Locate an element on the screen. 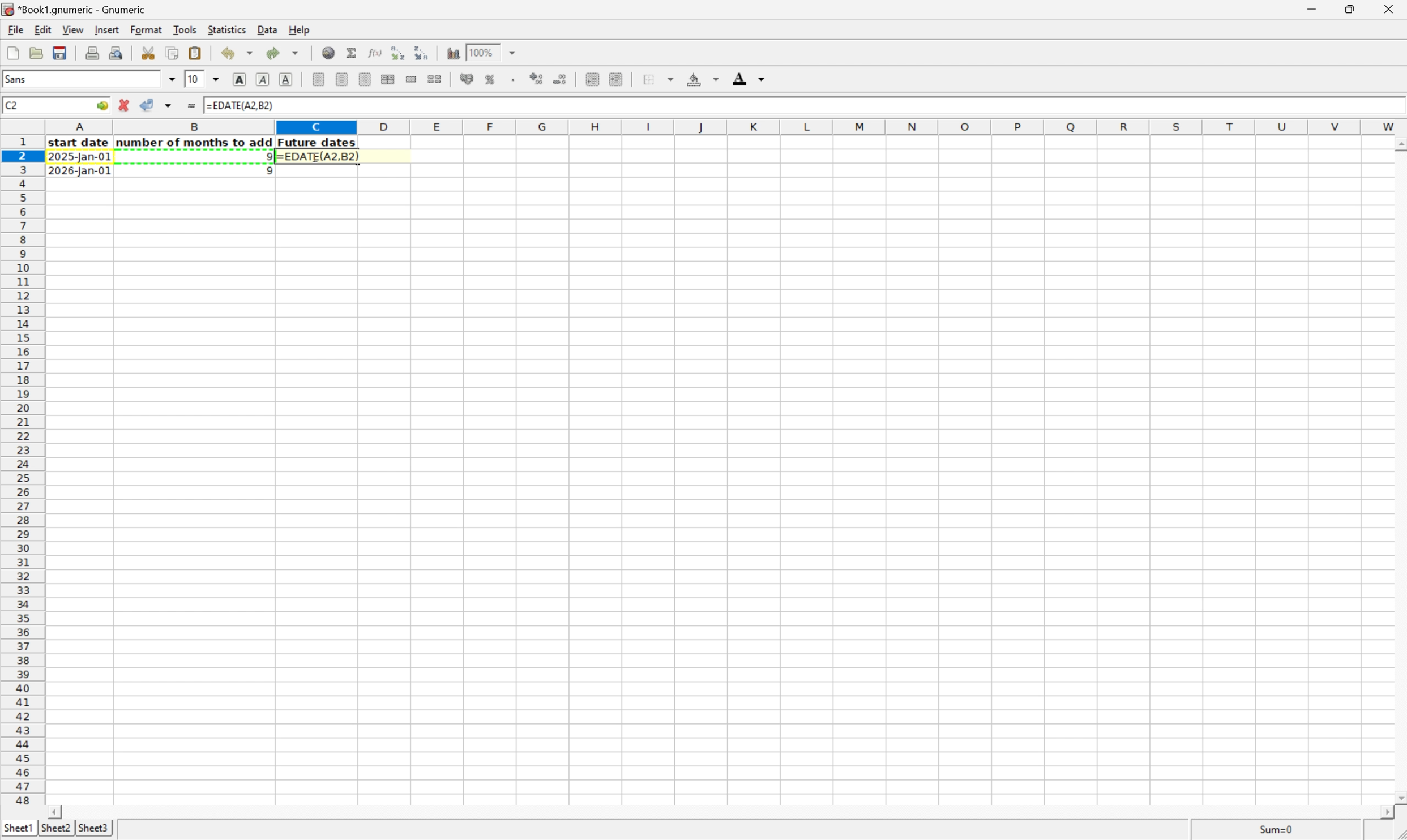 The image size is (1407, 840). Go to is located at coordinates (101, 105).